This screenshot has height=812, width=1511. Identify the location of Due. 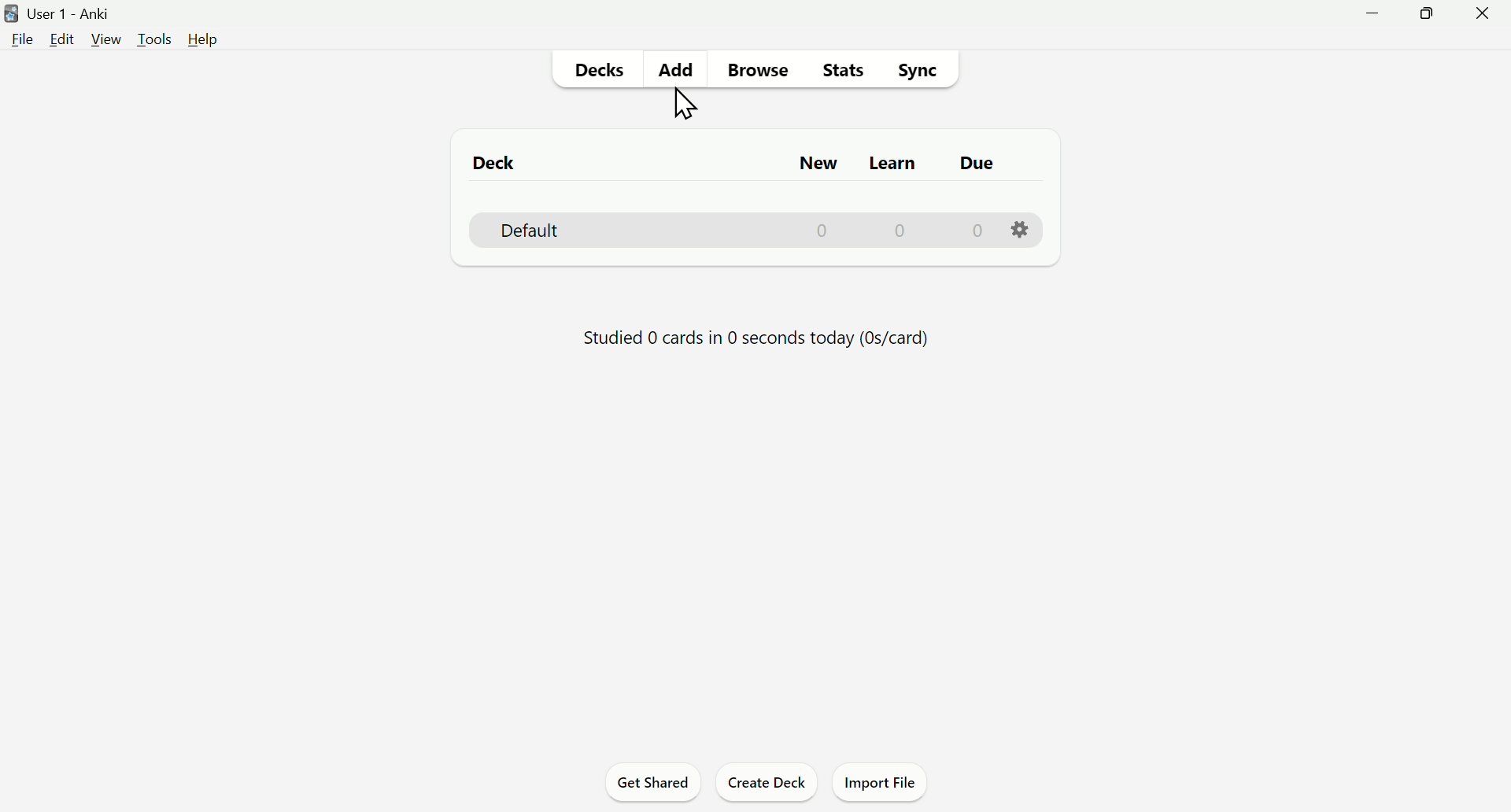
(977, 164).